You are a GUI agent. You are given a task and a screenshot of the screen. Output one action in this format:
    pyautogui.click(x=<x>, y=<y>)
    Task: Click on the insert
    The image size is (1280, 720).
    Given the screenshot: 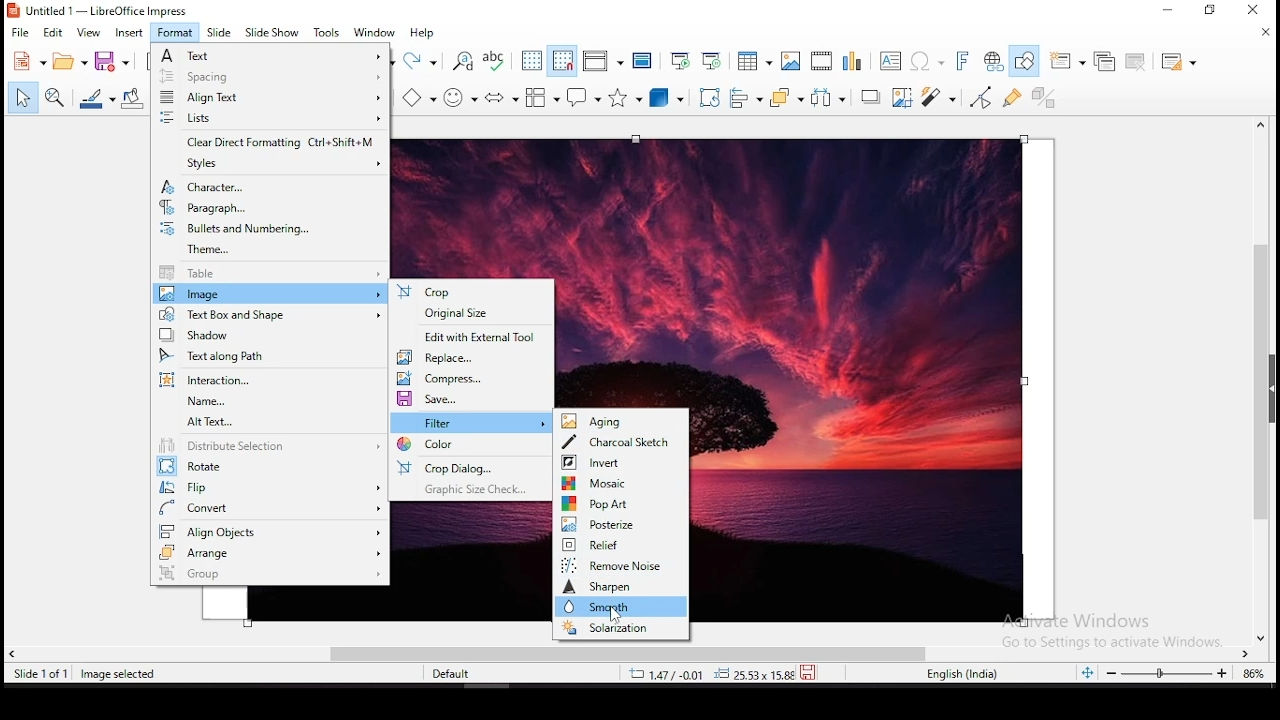 What is the action you would take?
    pyautogui.click(x=129, y=33)
    